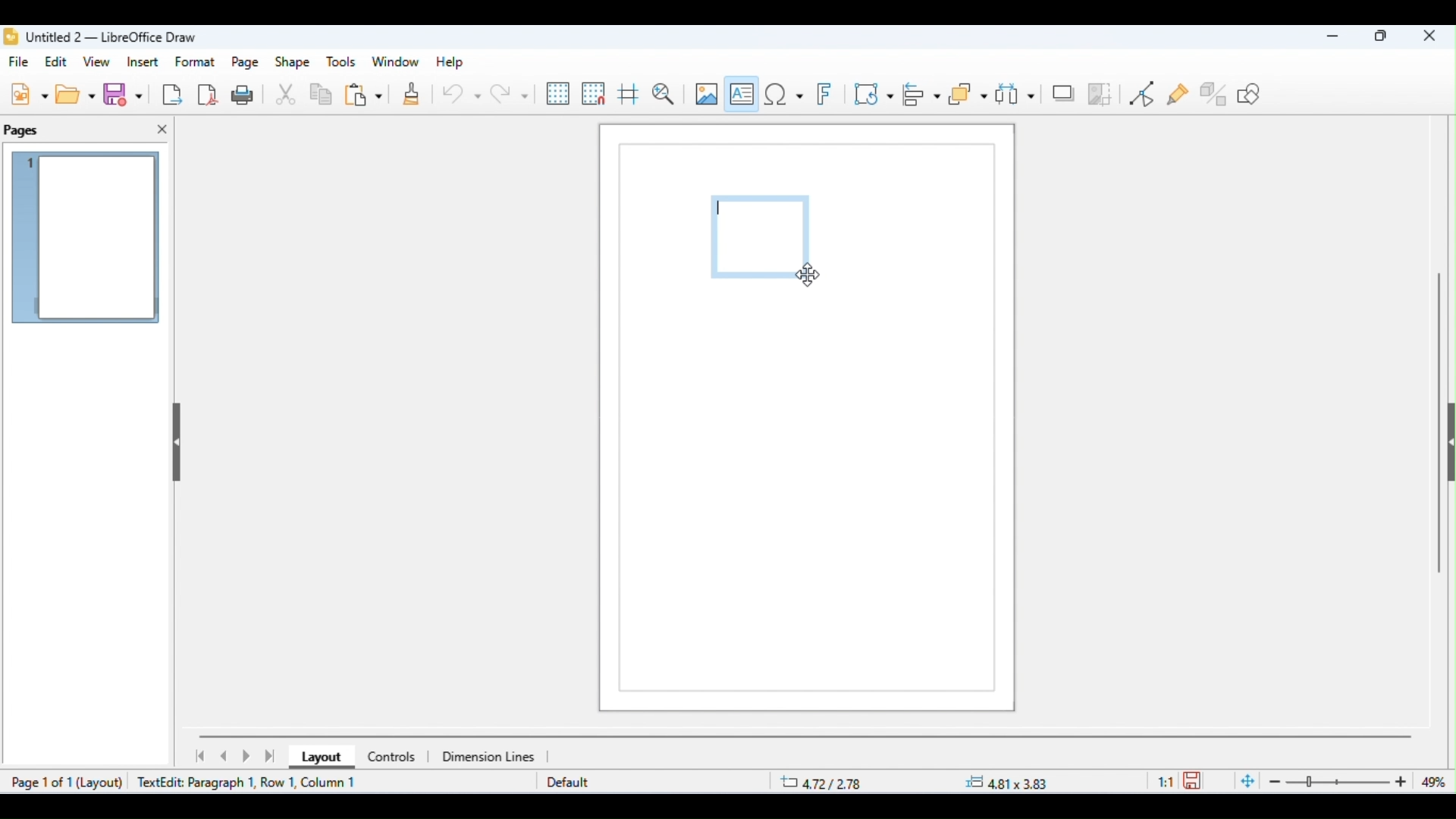 Image resolution: width=1456 pixels, height=819 pixels. Describe the element at coordinates (143, 61) in the screenshot. I see `insert` at that location.